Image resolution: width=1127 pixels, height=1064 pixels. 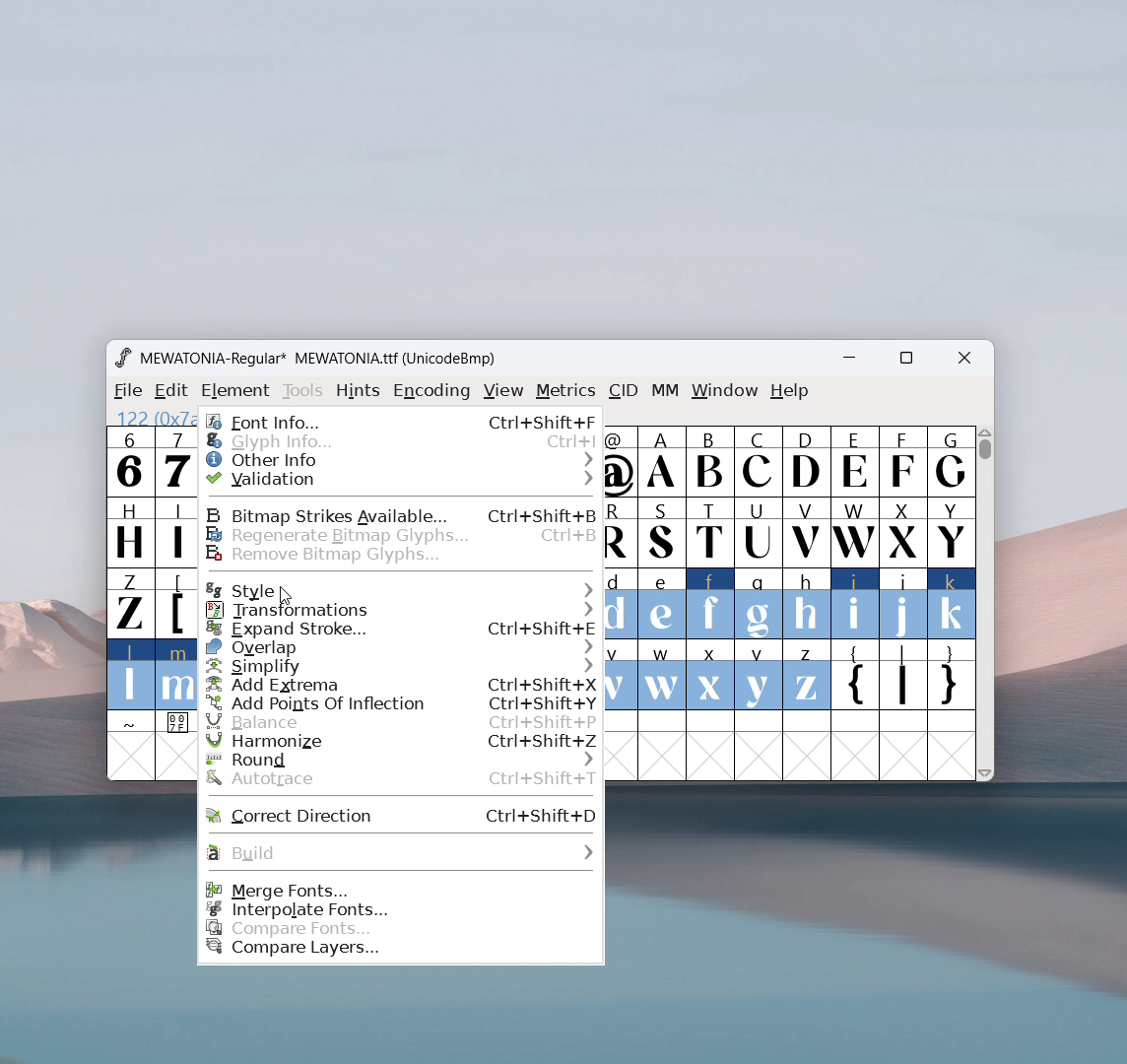 What do you see at coordinates (175, 531) in the screenshot?
I see `I` at bounding box center [175, 531].